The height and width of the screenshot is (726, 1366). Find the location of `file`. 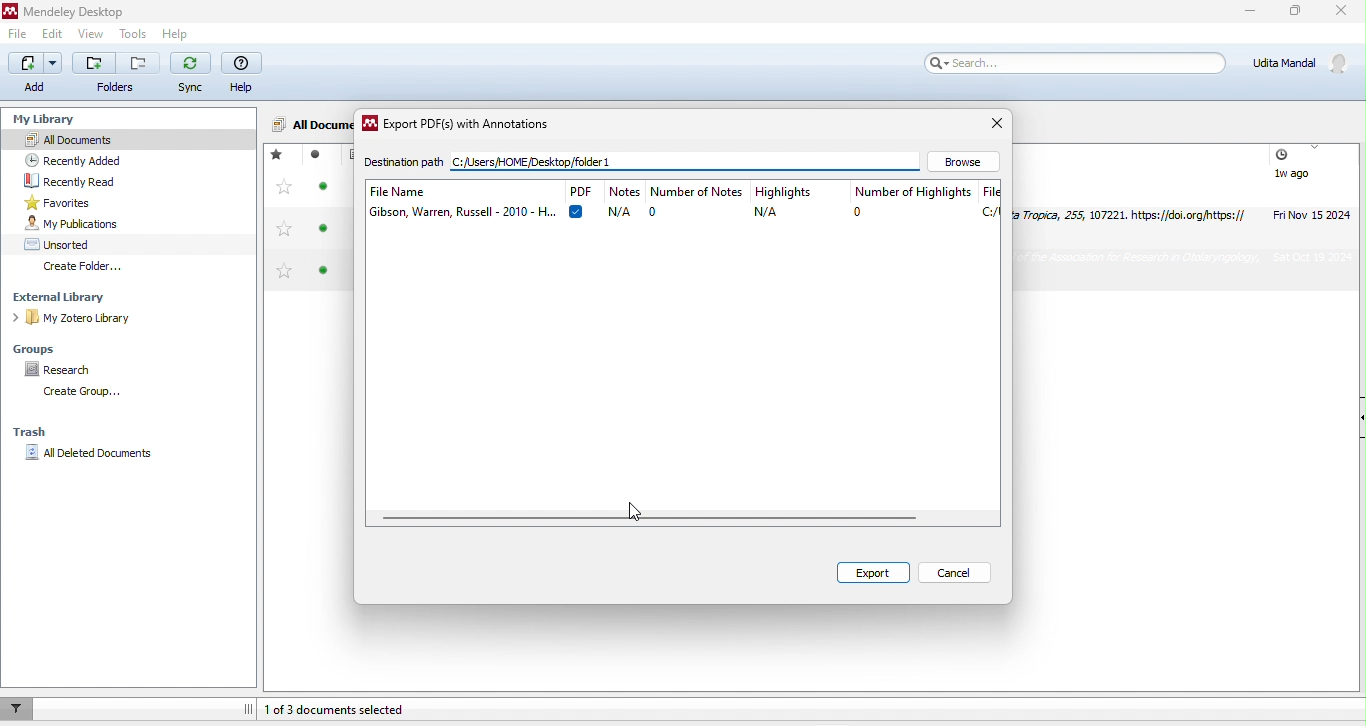

file is located at coordinates (19, 32).